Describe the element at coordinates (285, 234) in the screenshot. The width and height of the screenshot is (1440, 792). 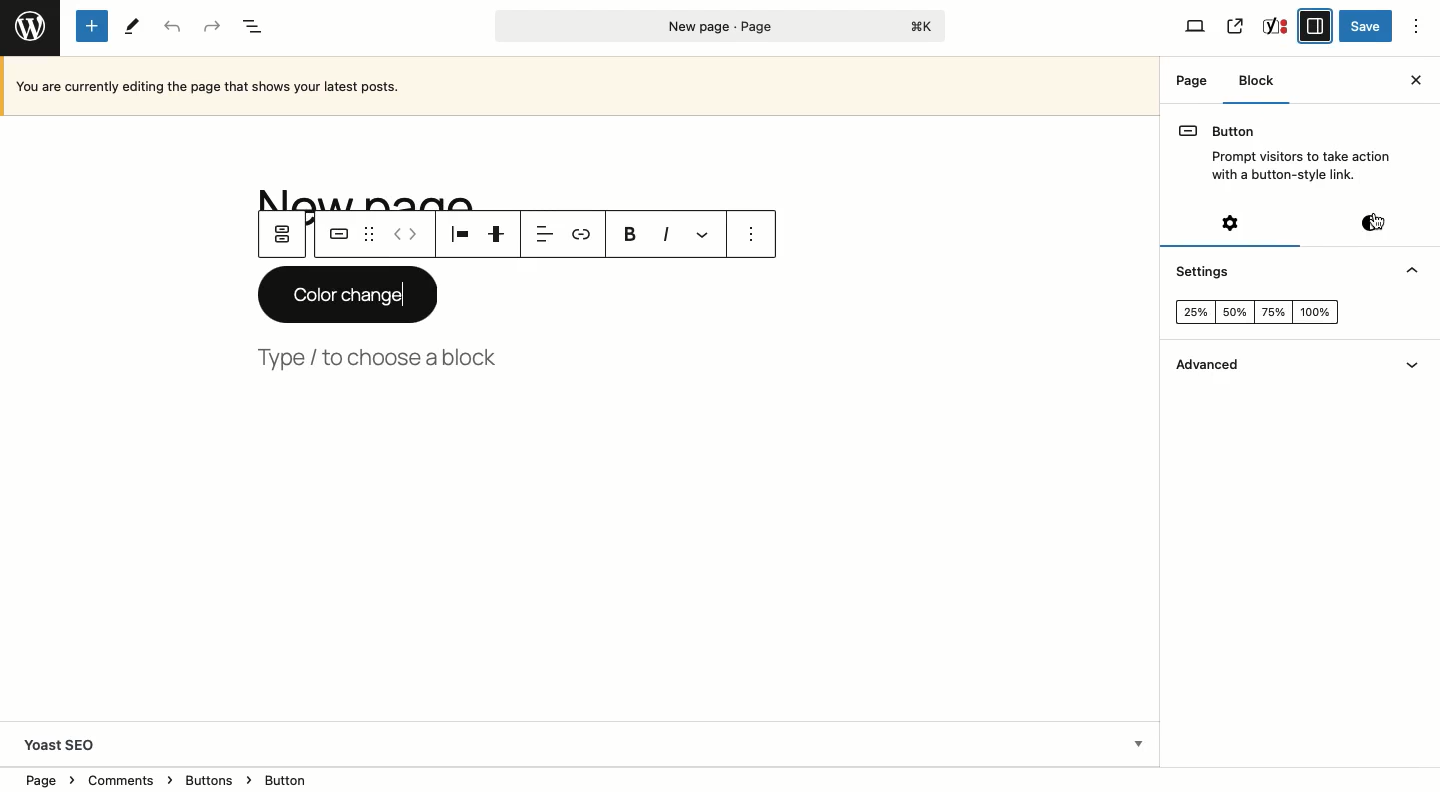
I see `Parent button` at that location.